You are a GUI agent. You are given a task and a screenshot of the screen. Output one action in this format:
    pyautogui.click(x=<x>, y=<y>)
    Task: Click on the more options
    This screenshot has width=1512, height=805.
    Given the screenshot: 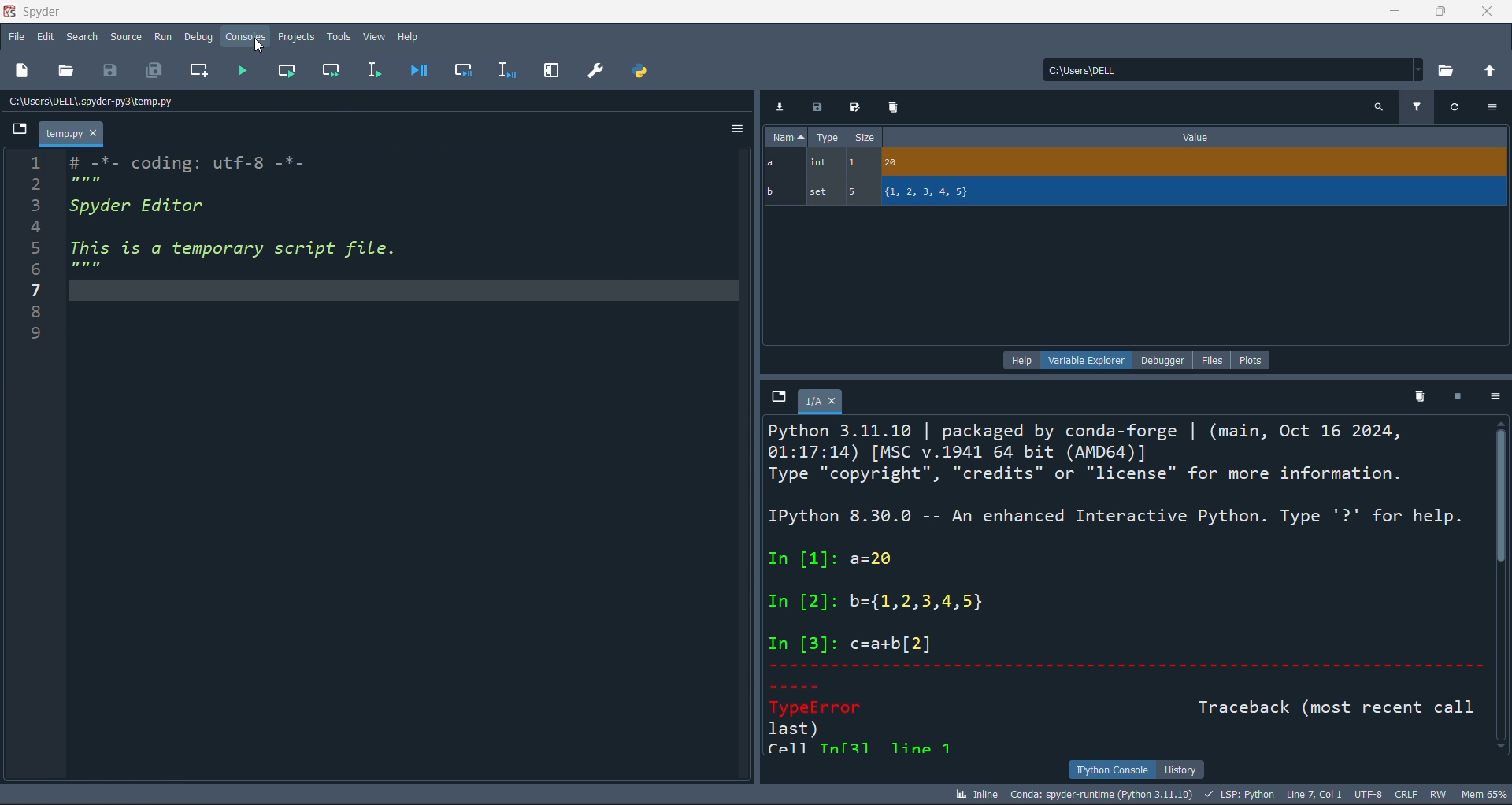 What is the action you would take?
    pyautogui.click(x=1492, y=106)
    